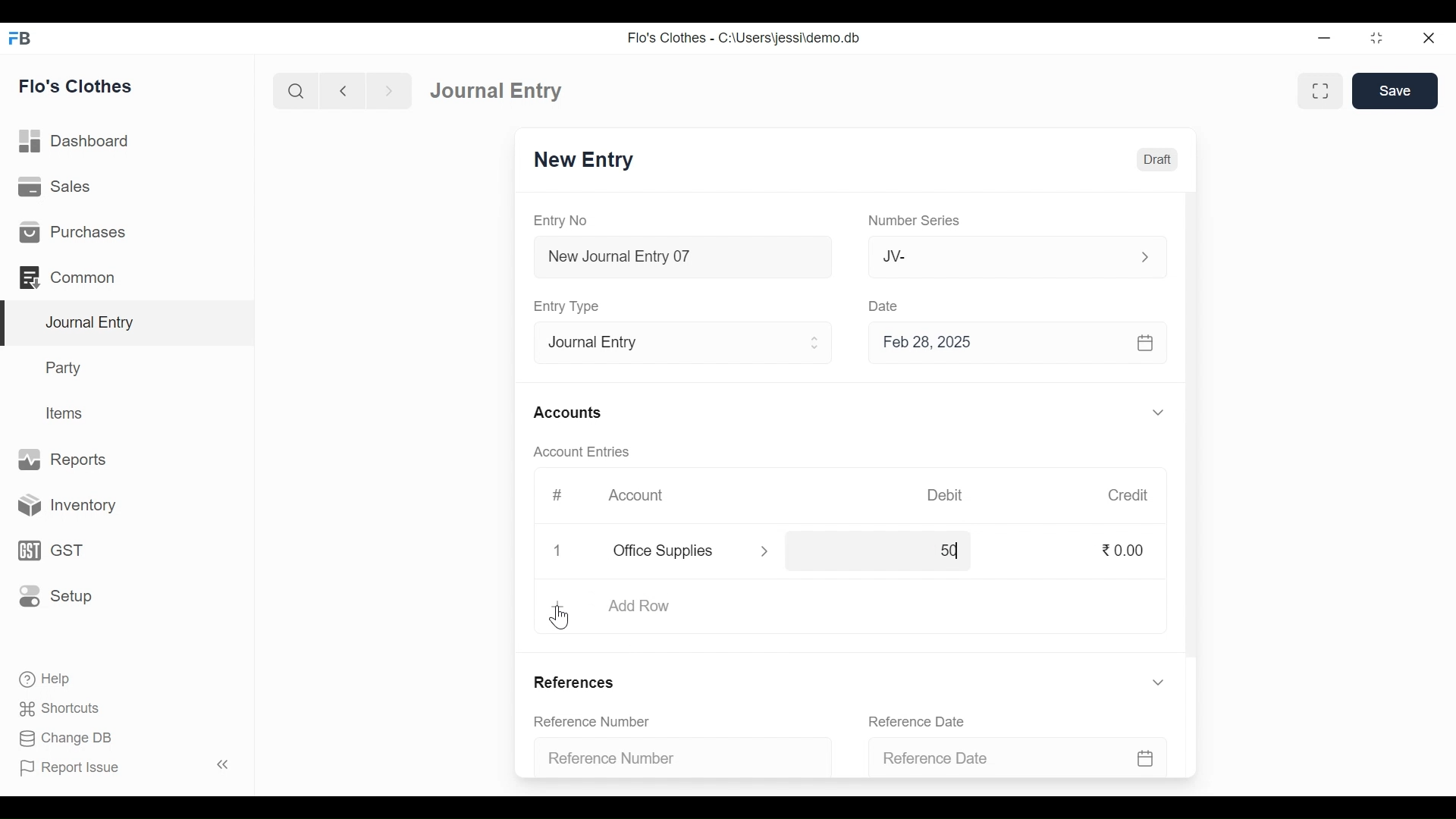 The image size is (1456, 819). What do you see at coordinates (66, 367) in the screenshot?
I see `Party` at bounding box center [66, 367].